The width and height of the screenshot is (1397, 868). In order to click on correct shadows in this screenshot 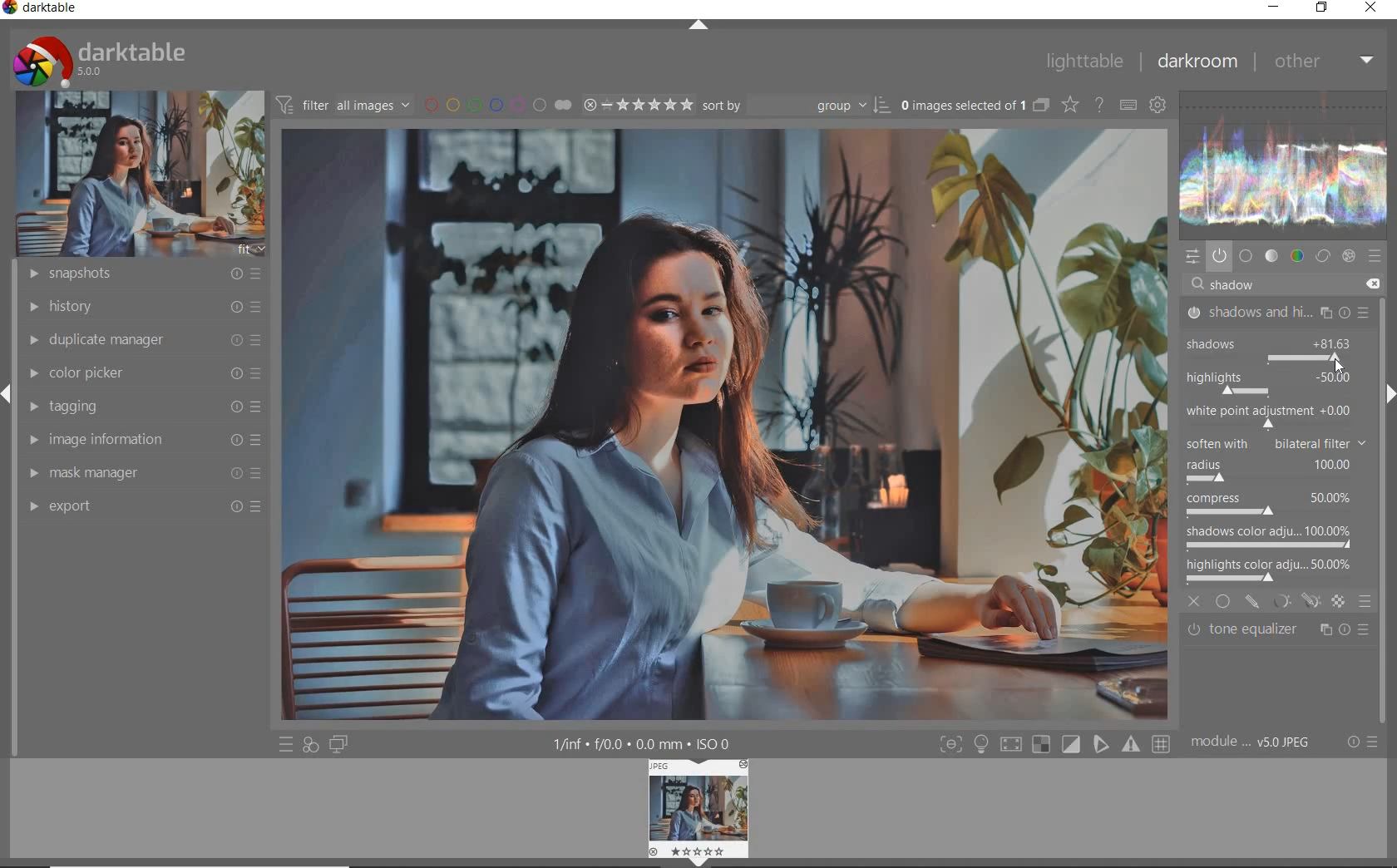, I will do `click(1281, 385)`.